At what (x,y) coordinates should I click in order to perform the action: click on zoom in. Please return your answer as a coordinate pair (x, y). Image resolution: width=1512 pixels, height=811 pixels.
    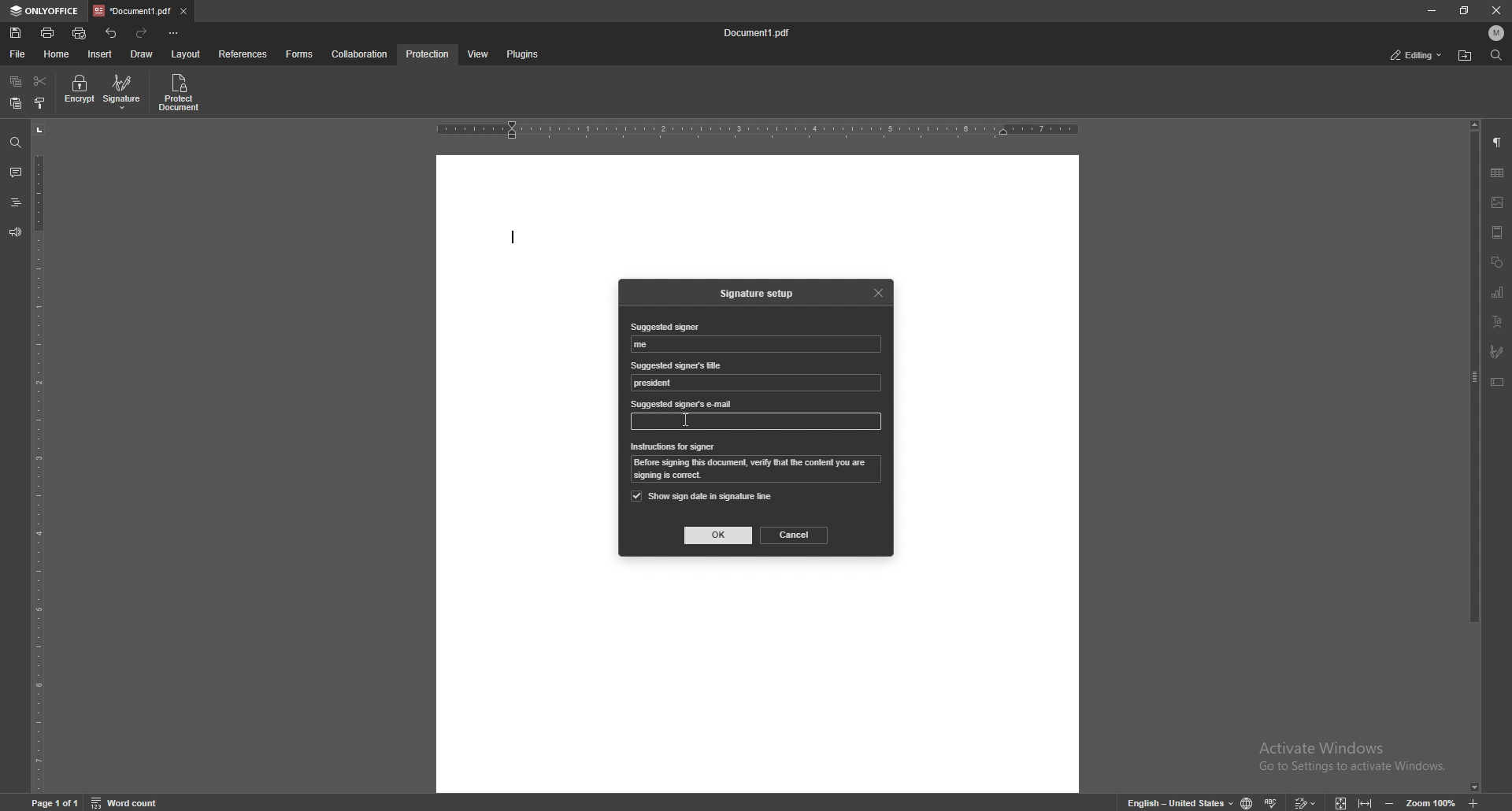
    Looking at the image, I should click on (1487, 803).